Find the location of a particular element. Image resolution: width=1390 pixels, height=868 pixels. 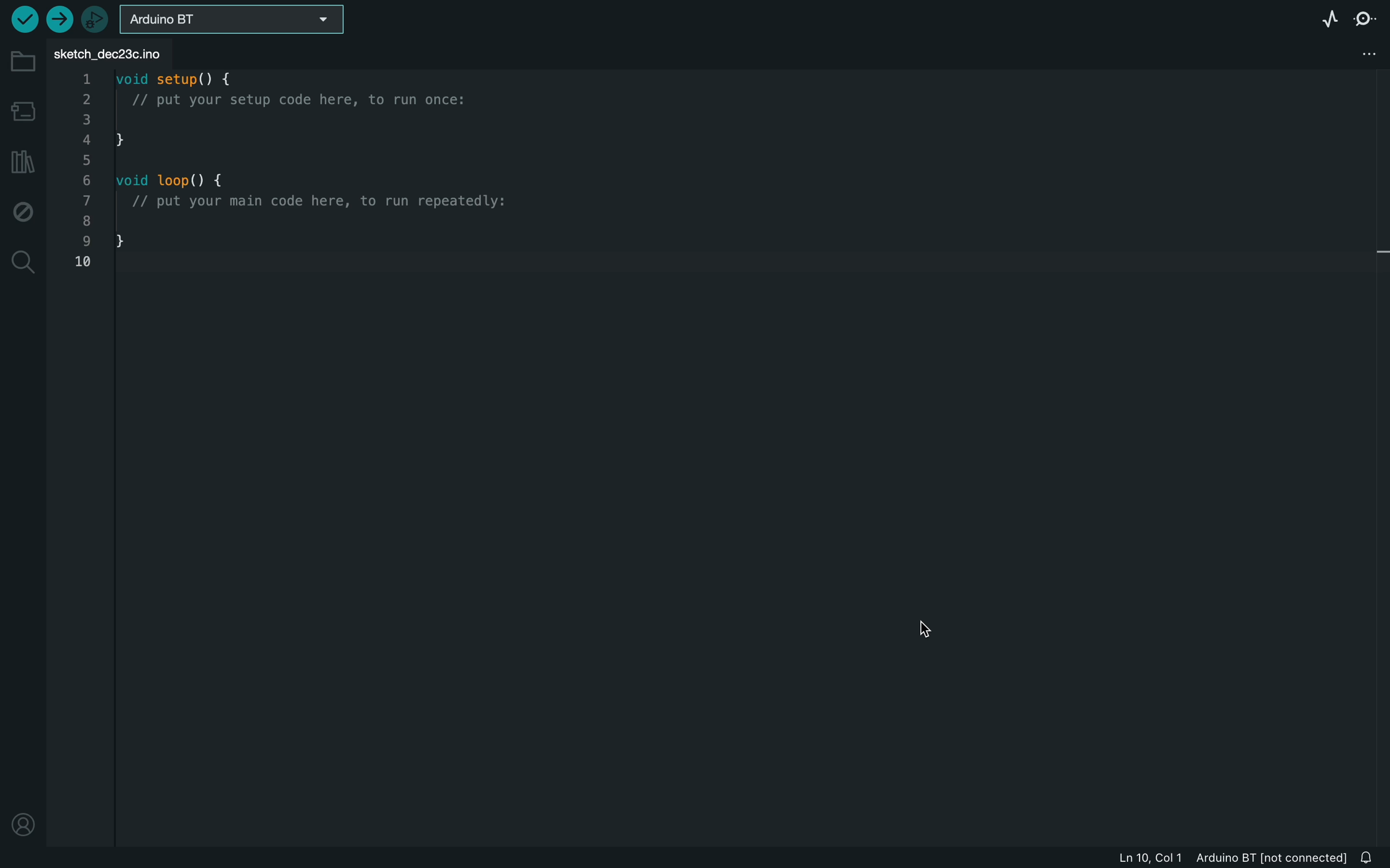

upload is located at coordinates (61, 19).